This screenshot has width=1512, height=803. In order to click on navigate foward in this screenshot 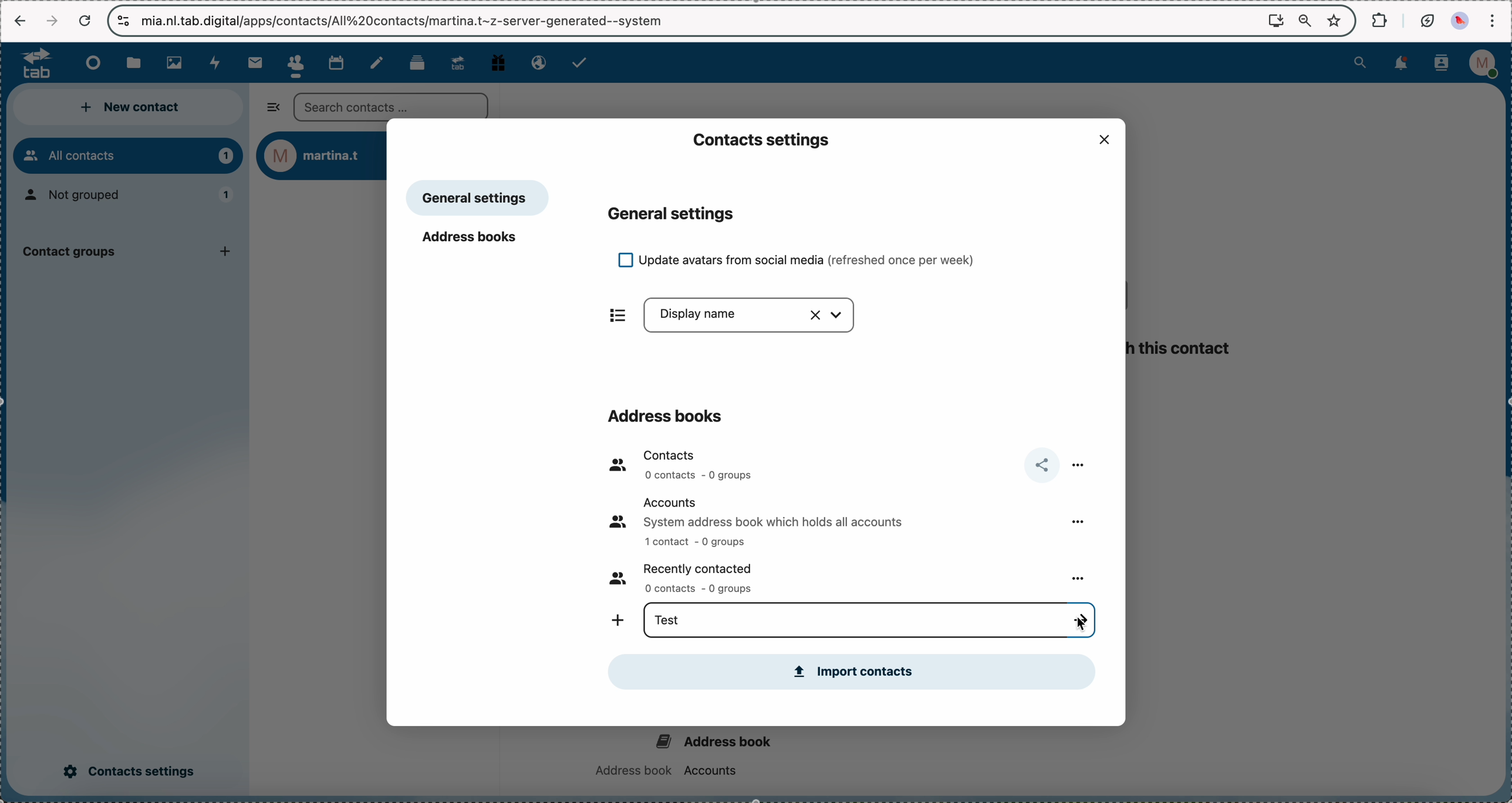, I will do `click(49, 20)`.